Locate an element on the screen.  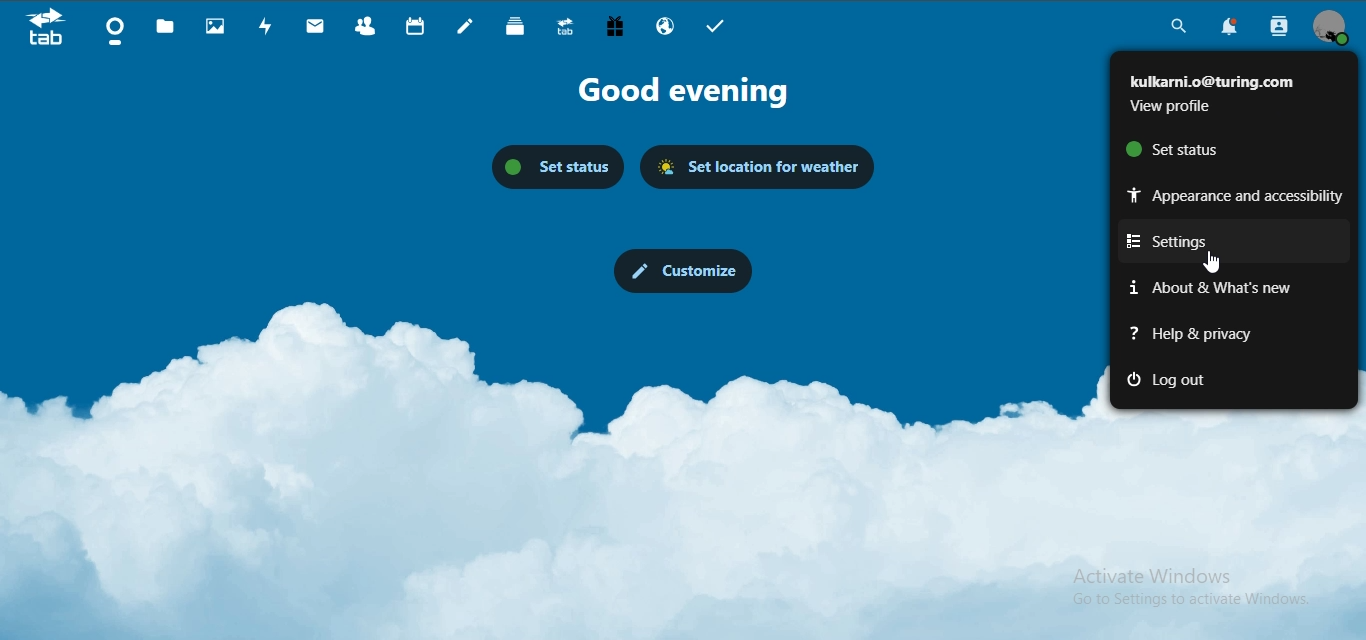
icon is located at coordinates (45, 27).